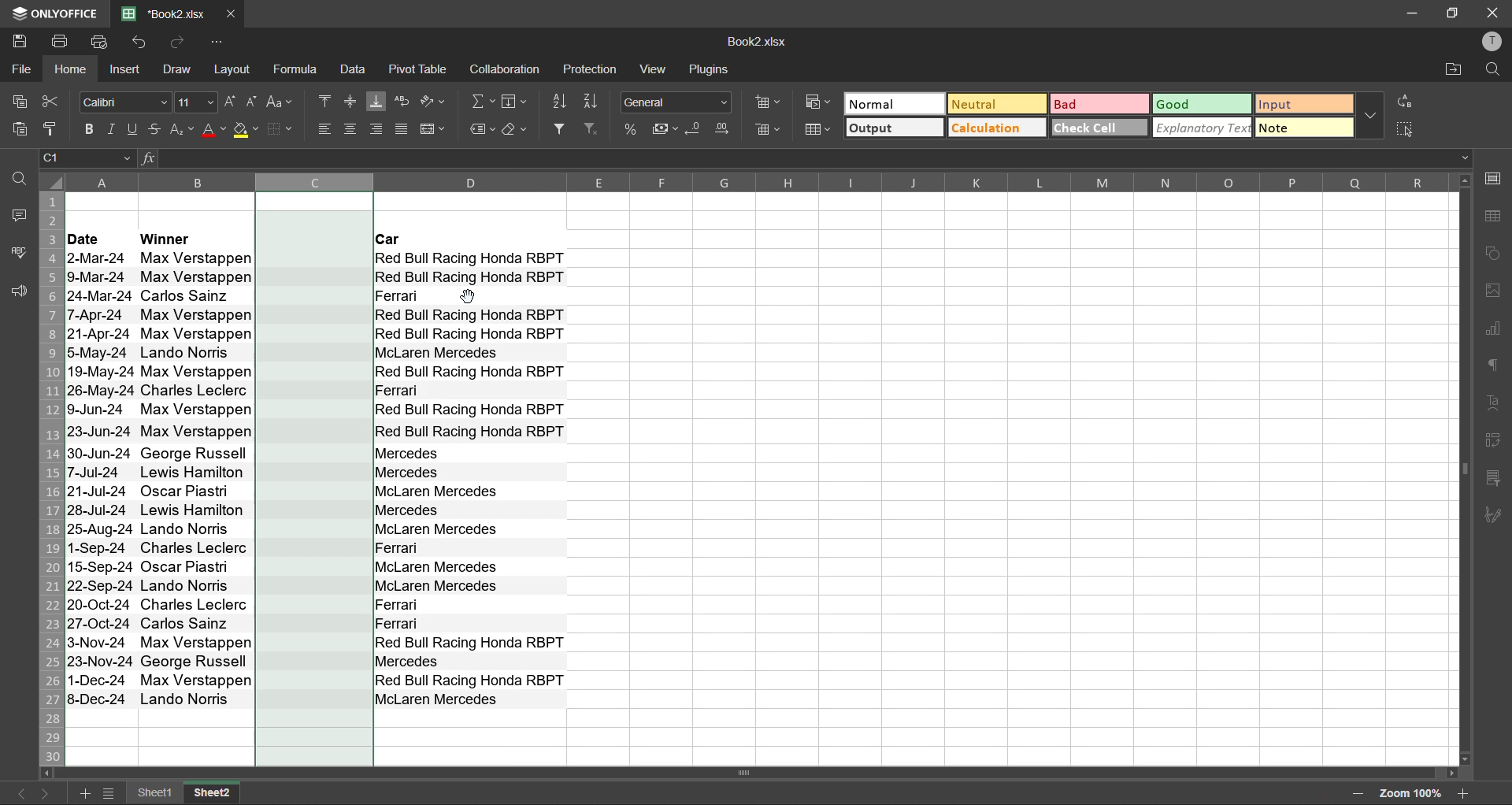 The height and width of the screenshot is (805, 1512). What do you see at coordinates (1407, 13) in the screenshot?
I see `minimize` at bounding box center [1407, 13].